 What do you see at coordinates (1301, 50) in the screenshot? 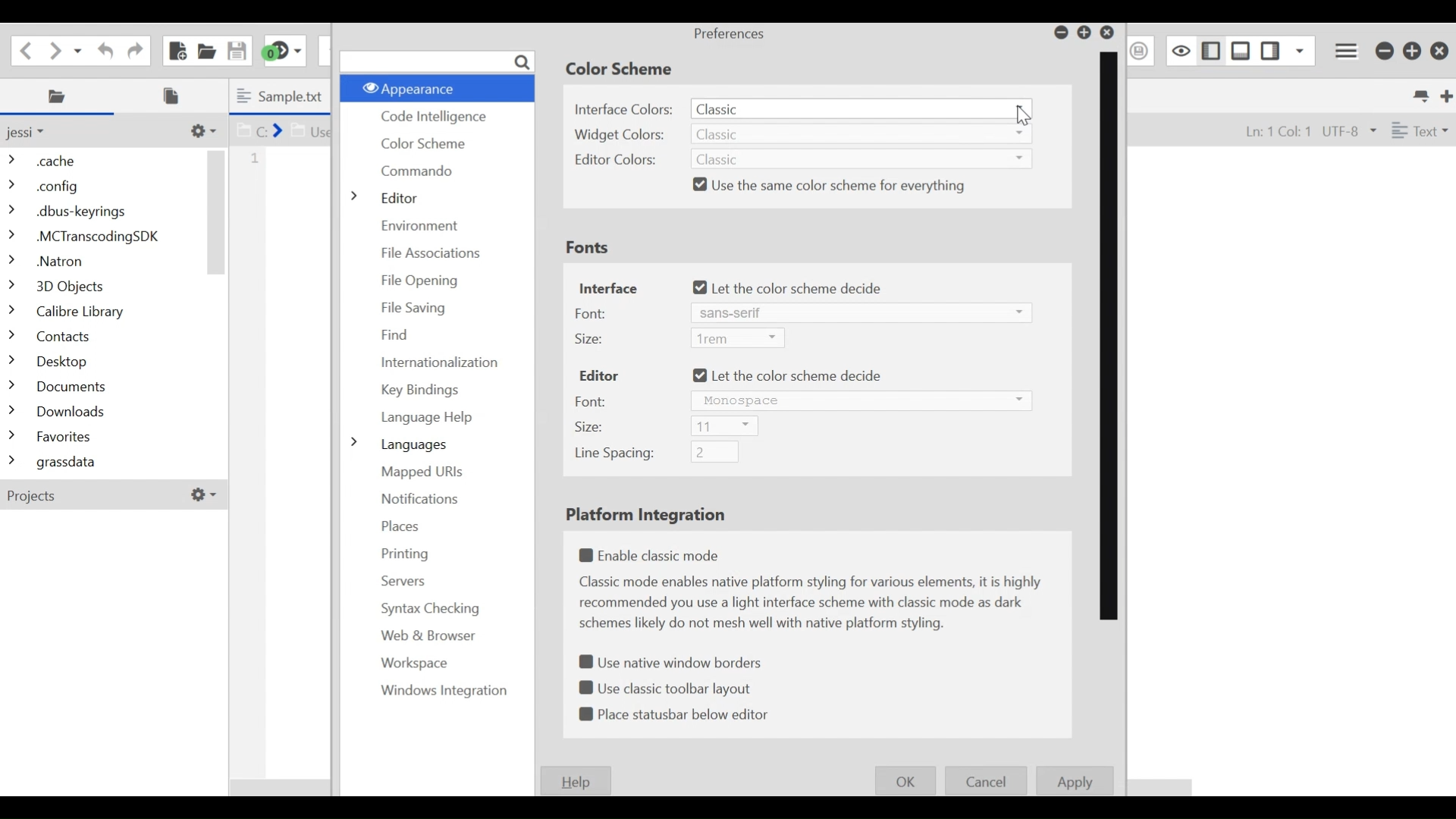
I see `Show specific Sidebar` at bounding box center [1301, 50].